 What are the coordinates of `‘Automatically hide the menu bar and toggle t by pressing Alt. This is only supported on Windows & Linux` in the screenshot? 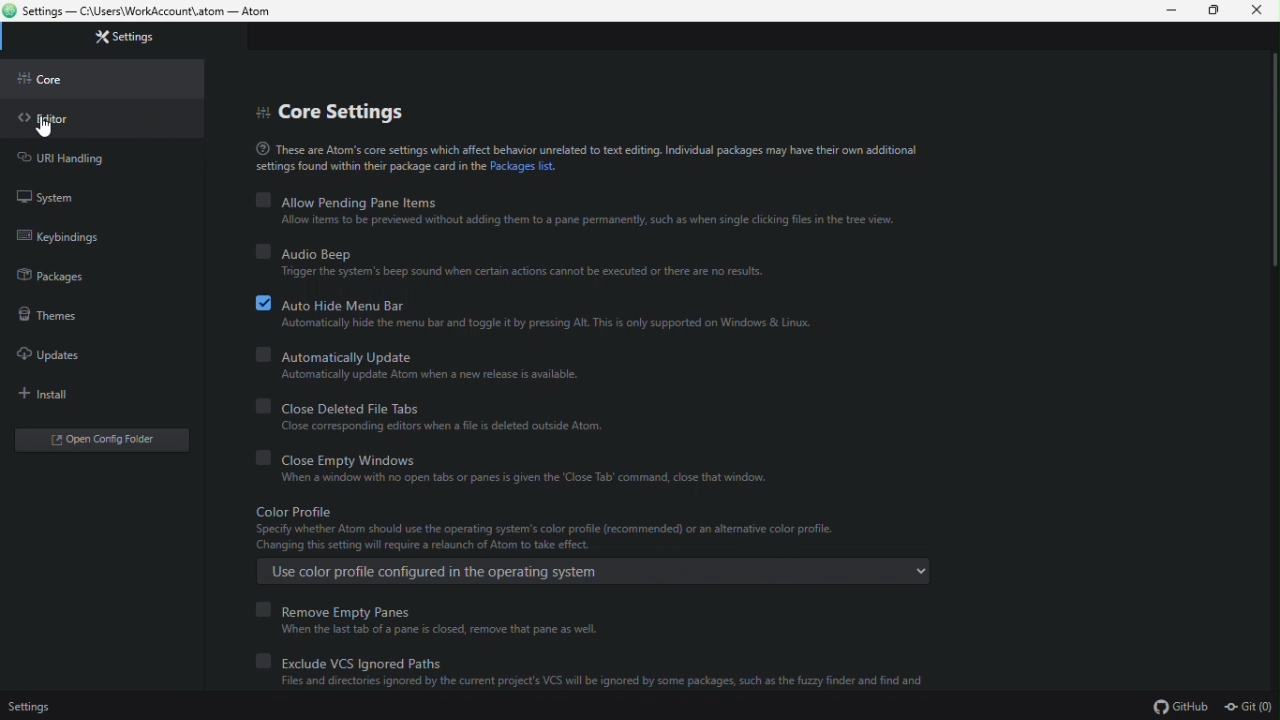 It's located at (546, 323).